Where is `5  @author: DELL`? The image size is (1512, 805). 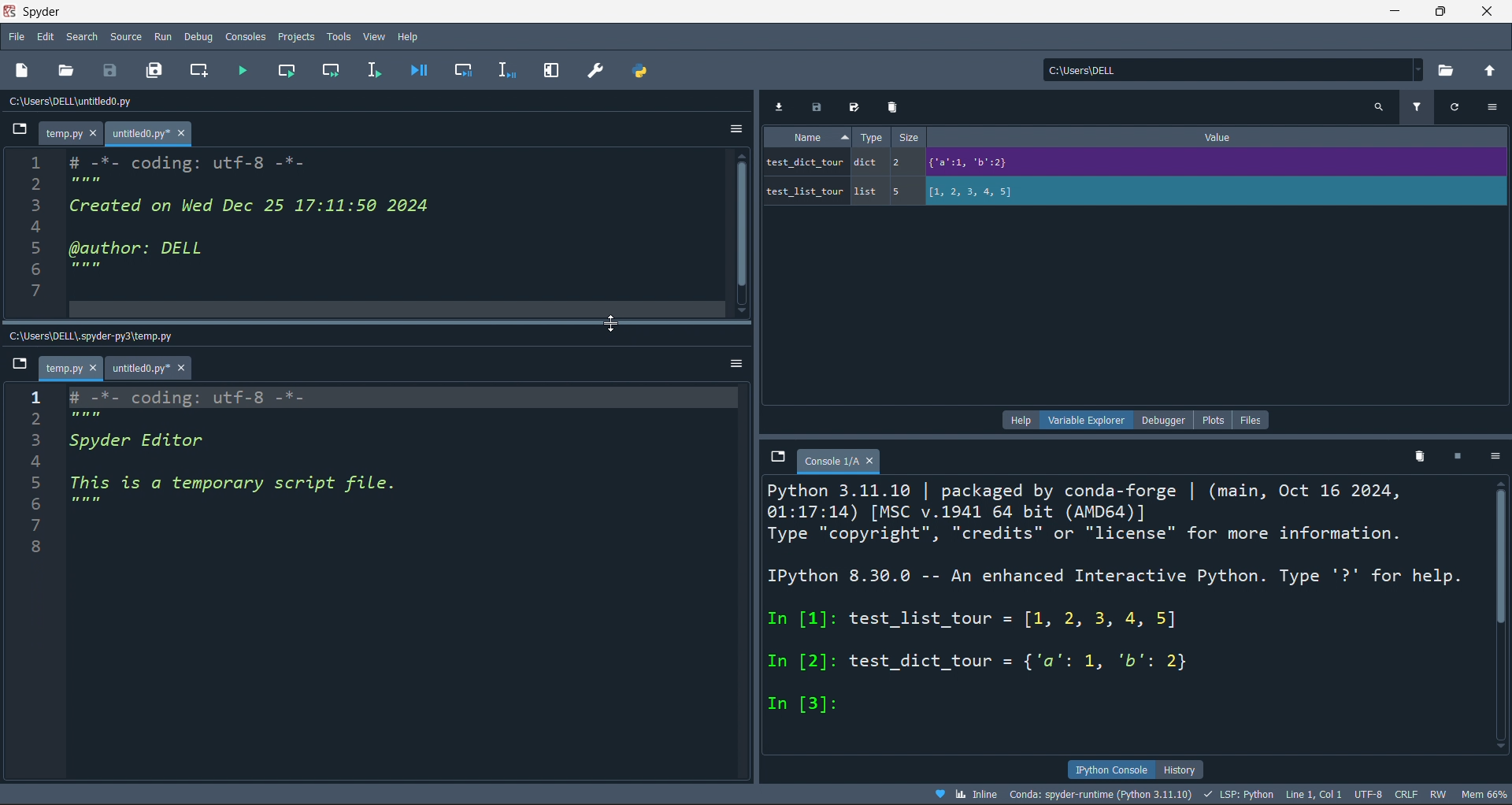
5  @author: DELL is located at coordinates (149, 250).